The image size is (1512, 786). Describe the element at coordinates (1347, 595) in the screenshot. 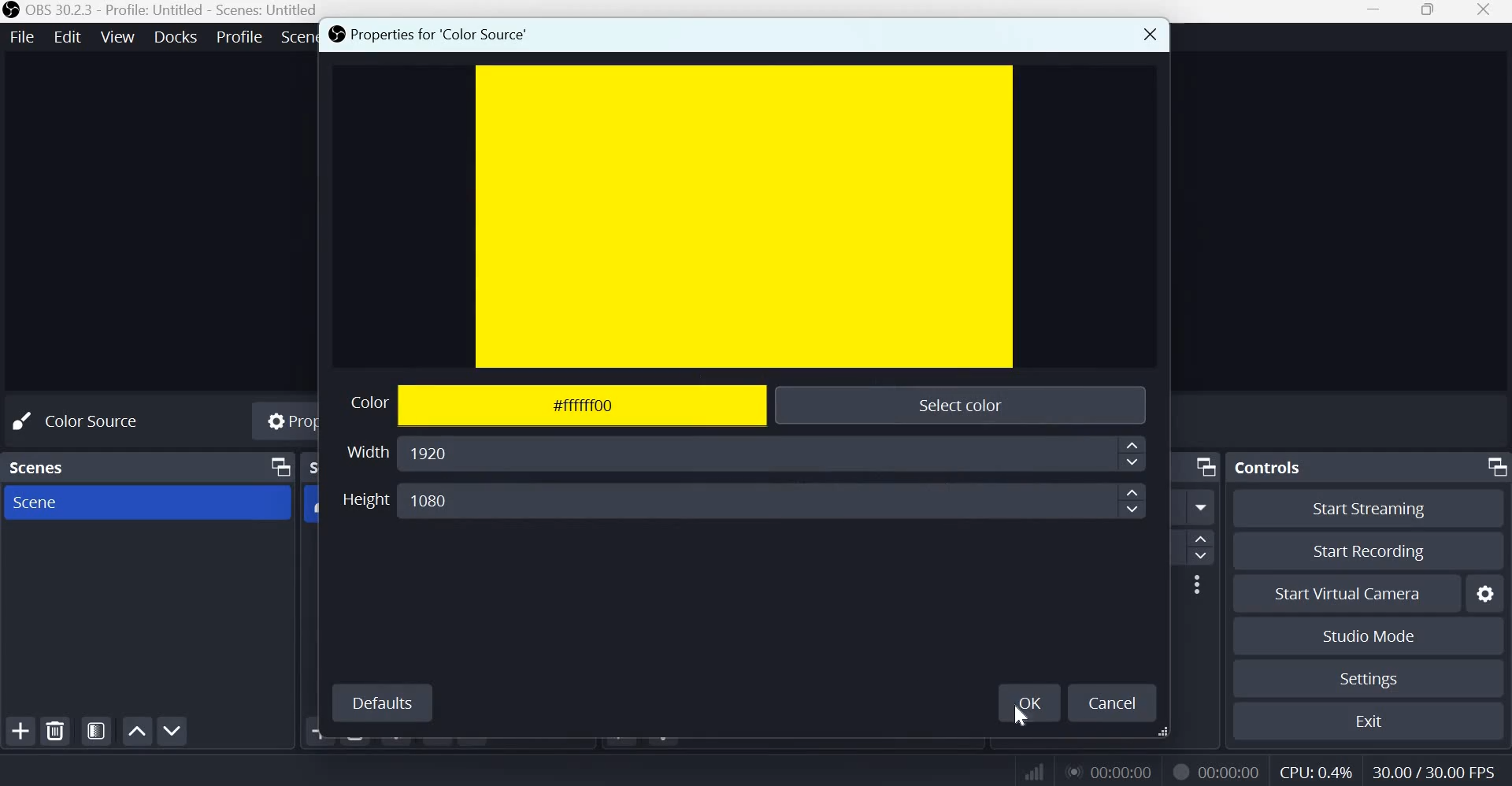

I see `Start Virual Camera` at that location.